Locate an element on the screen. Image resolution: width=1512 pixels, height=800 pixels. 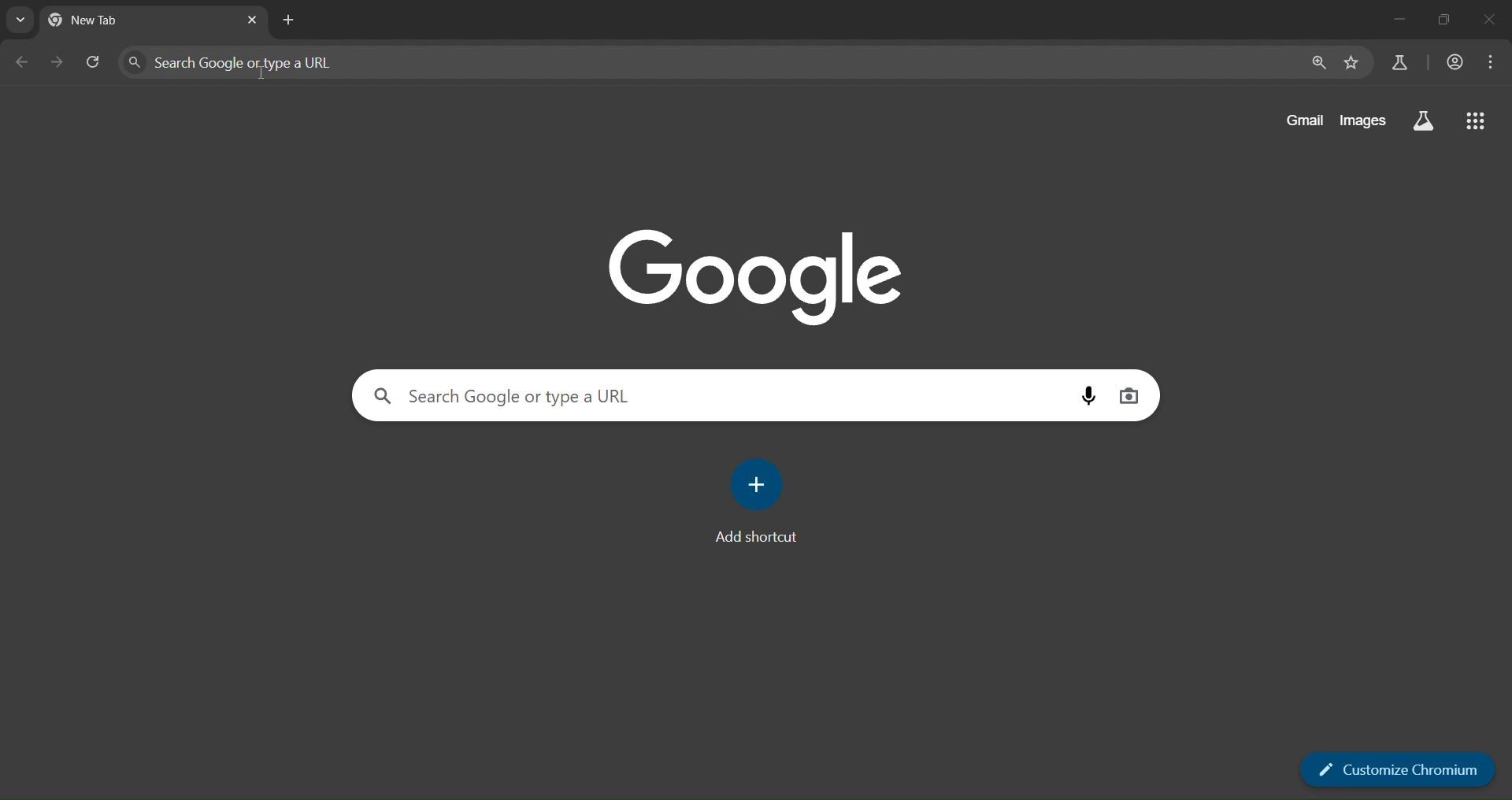
new tab is located at coordinates (289, 18).